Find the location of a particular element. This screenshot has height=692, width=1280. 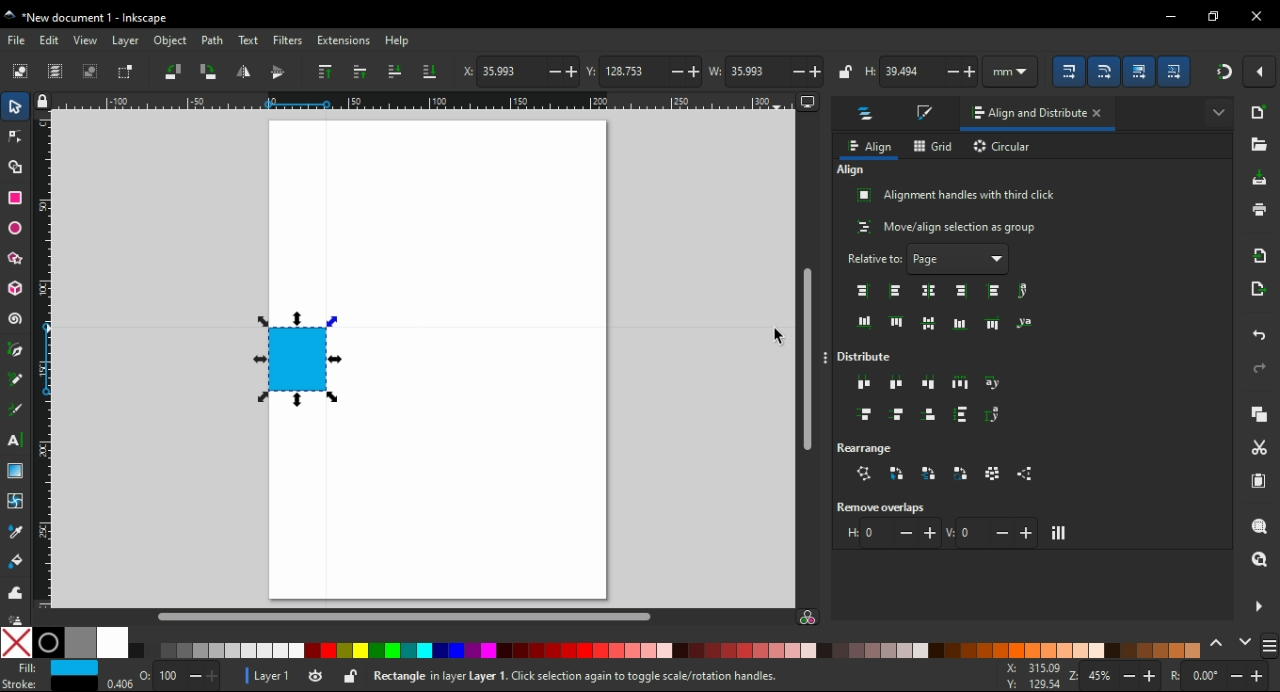

close is located at coordinates (1098, 114).